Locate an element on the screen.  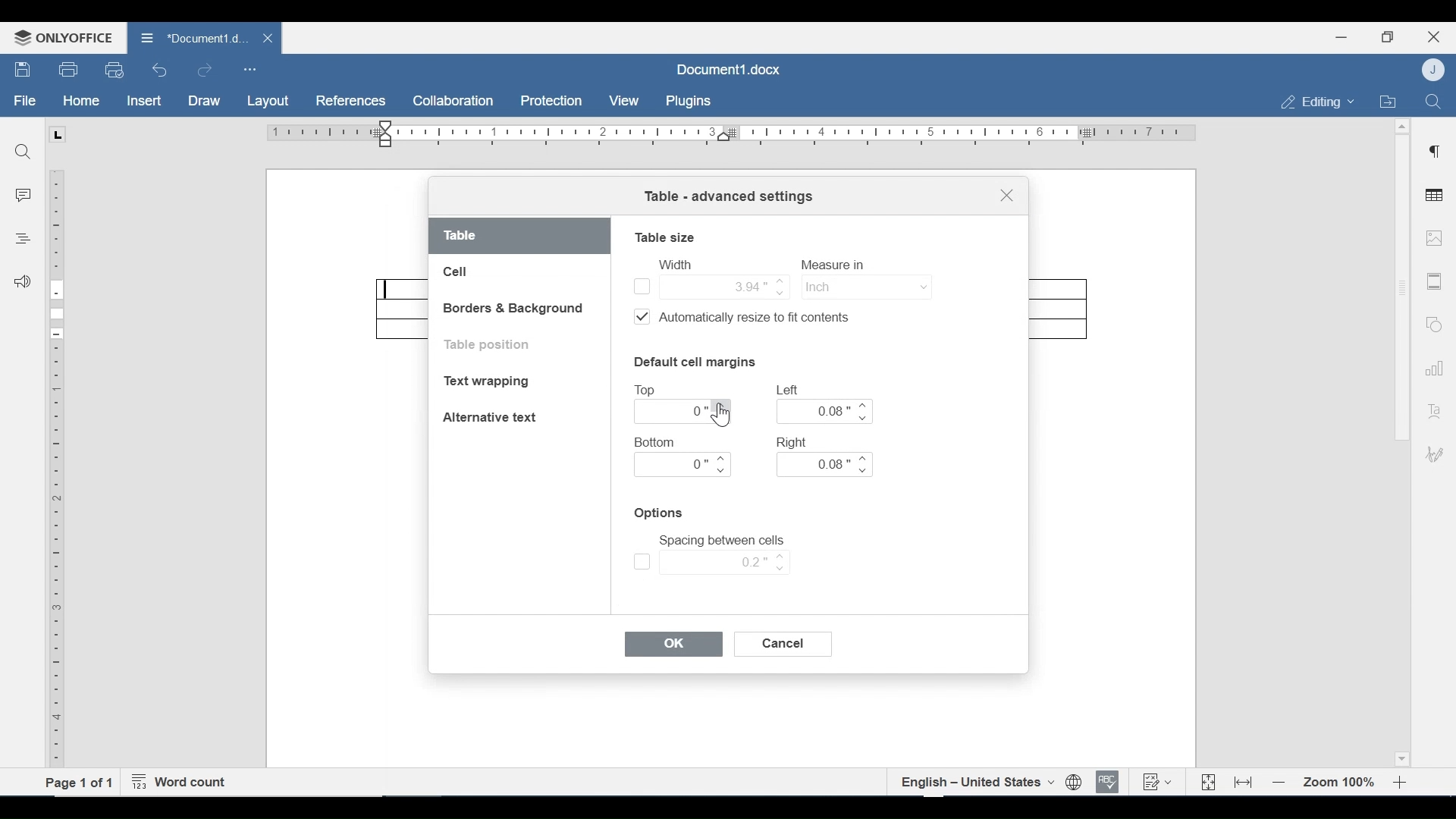
0.08 is located at coordinates (824, 465).